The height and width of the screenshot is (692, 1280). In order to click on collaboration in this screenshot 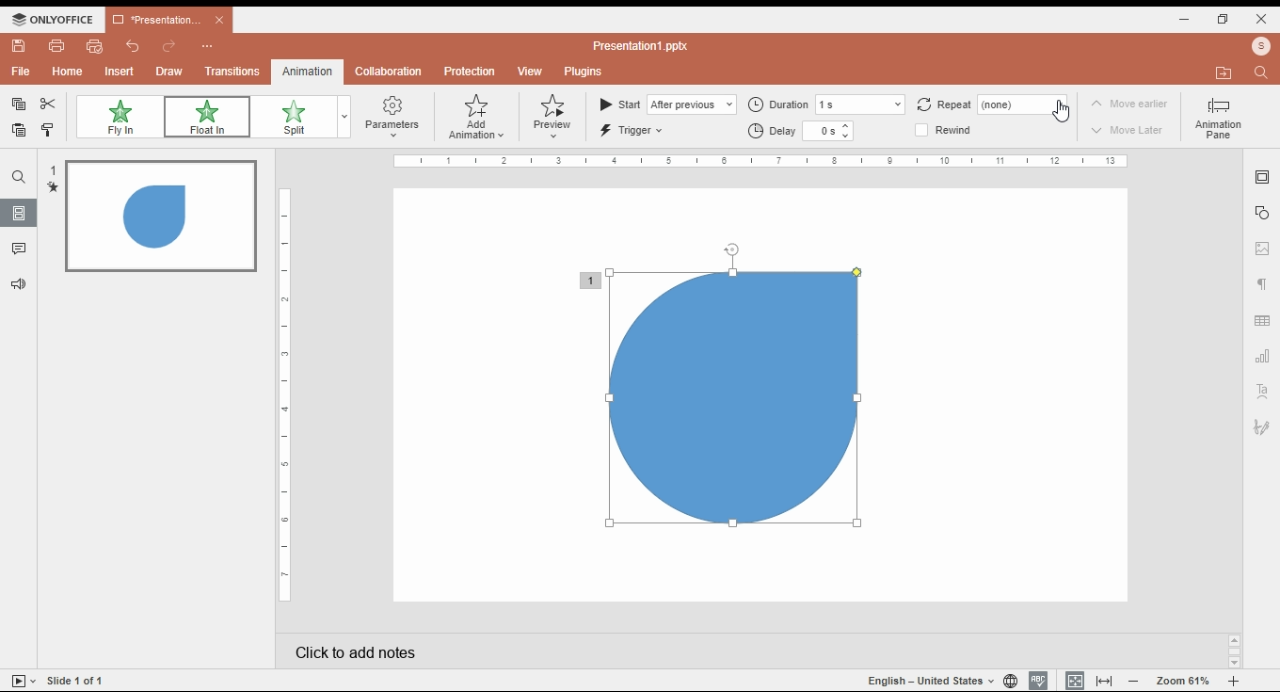, I will do `click(387, 72)`.